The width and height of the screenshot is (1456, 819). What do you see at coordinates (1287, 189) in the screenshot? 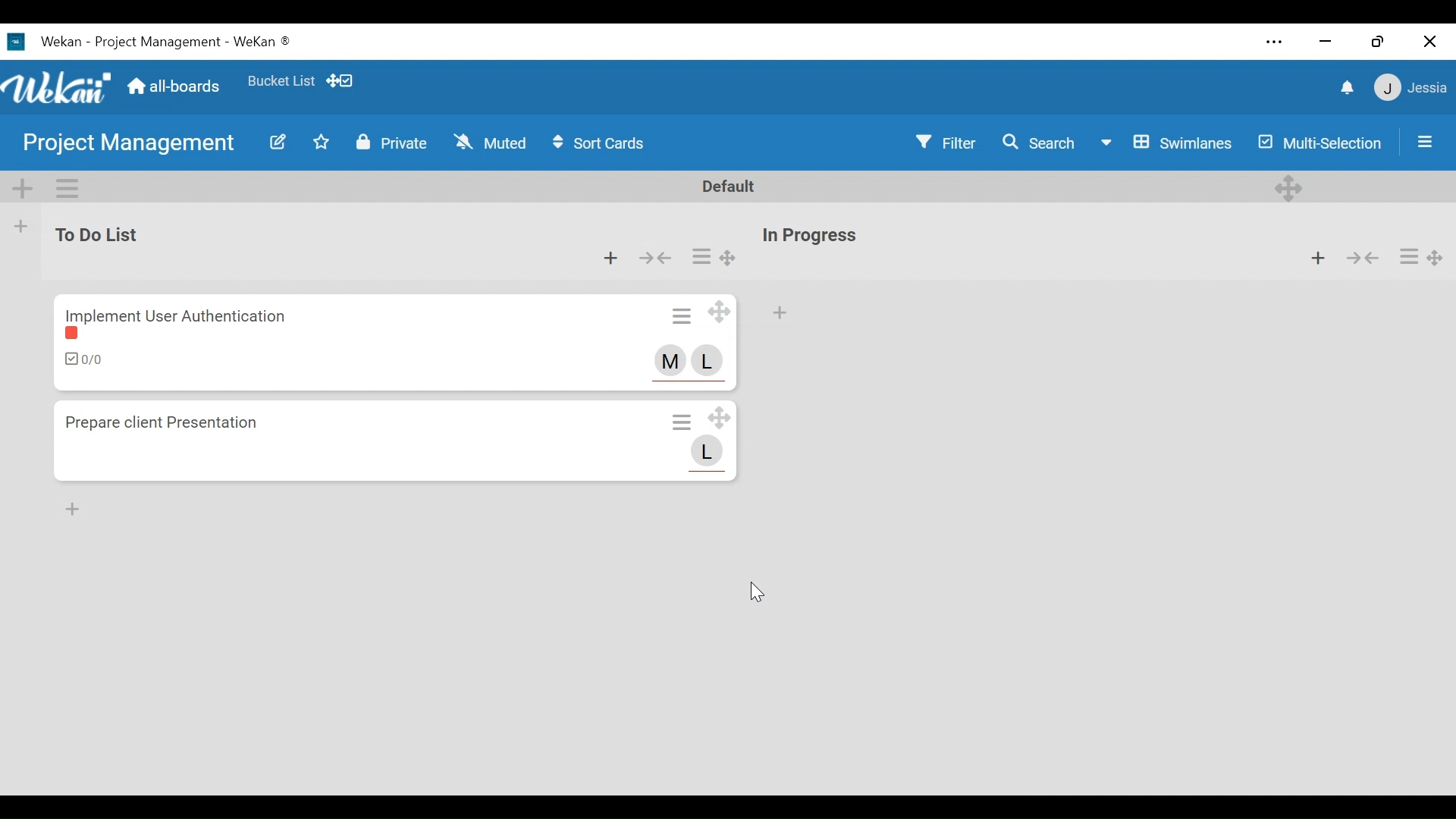
I see `Desktop drag handles` at bounding box center [1287, 189].